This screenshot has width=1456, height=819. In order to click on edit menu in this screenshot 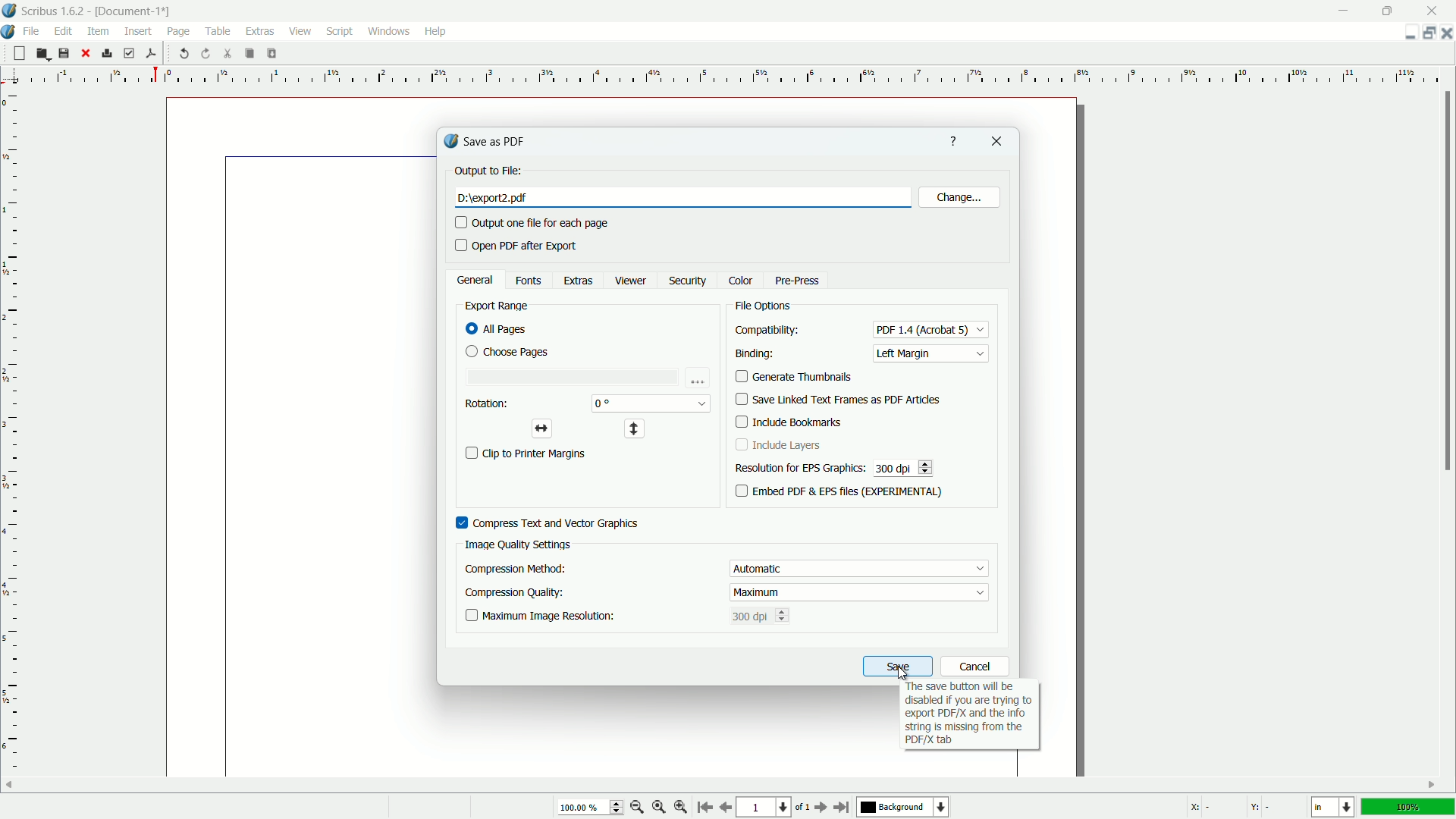, I will do `click(61, 32)`.